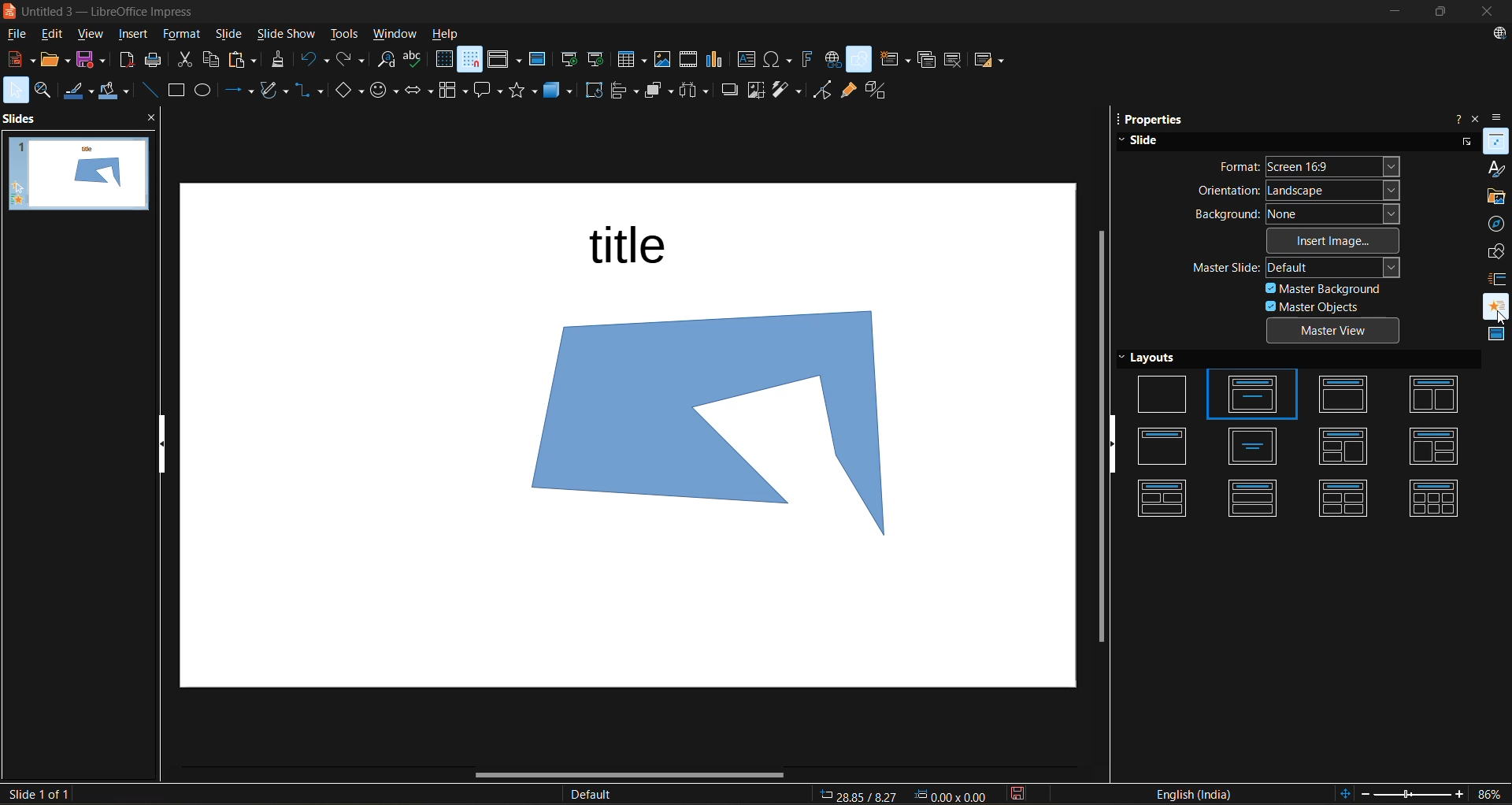 The image size is (1512, 805). Describe the element at coordinates (1327, 289) in the screenshot. I see `master background` at that location.